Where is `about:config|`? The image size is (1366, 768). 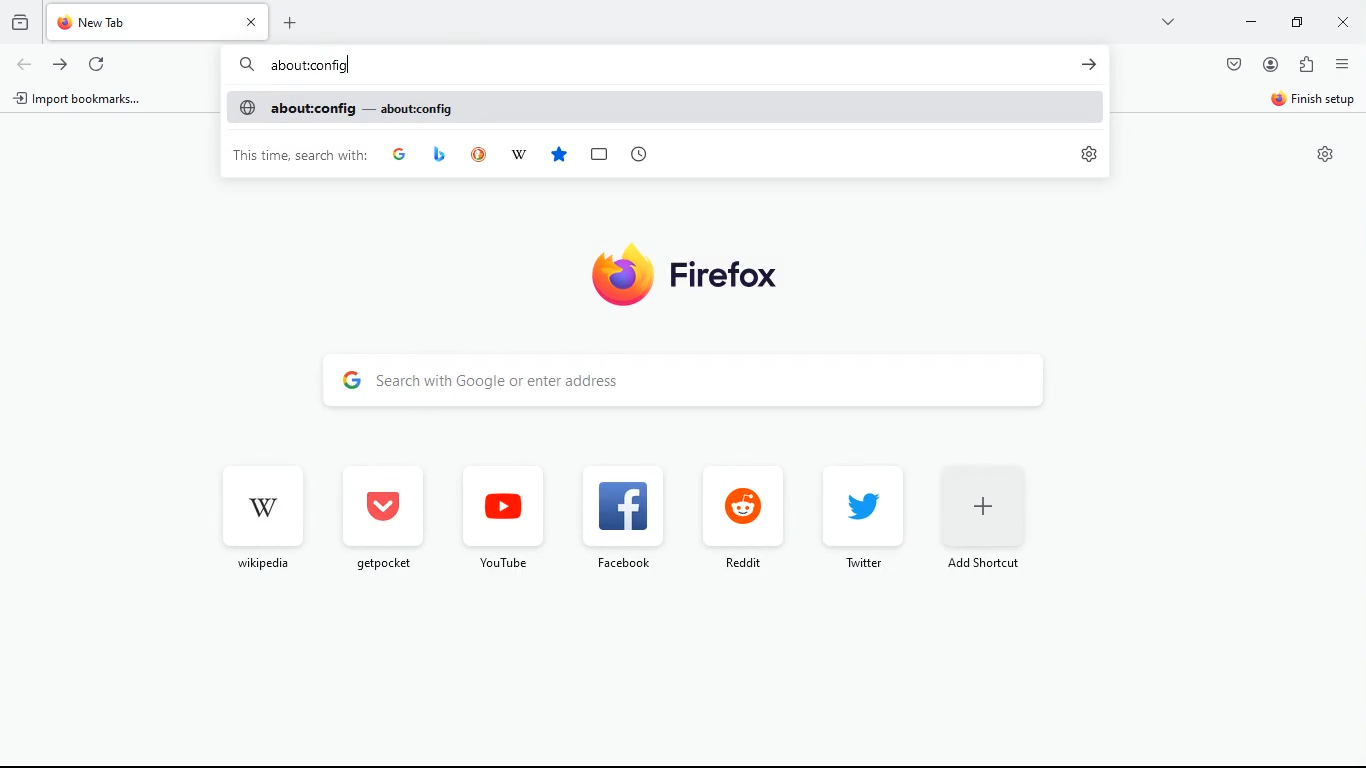 about:config| is located at coordinates (311, 66).